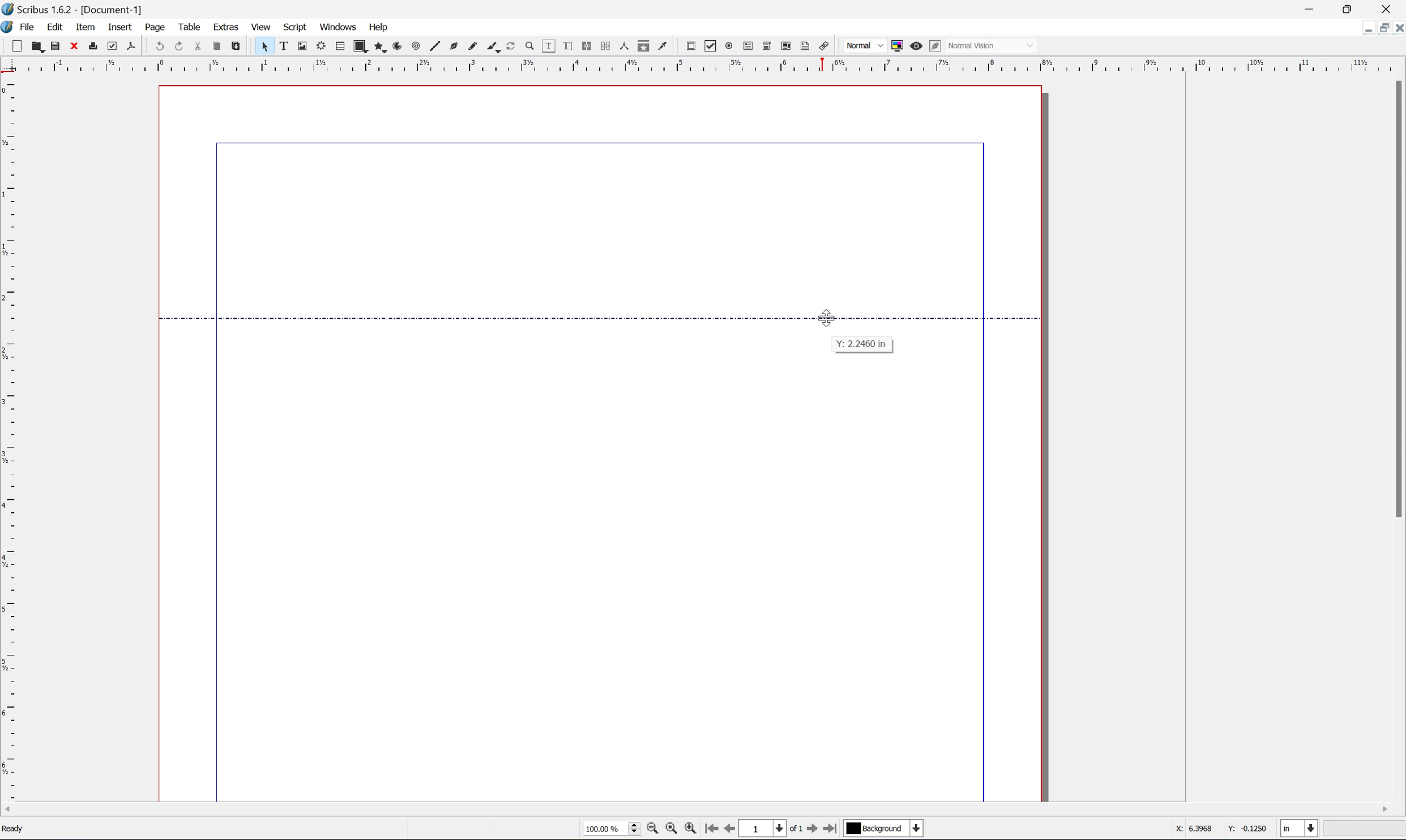  I want to click on pdf combo box, so click(767, 48).